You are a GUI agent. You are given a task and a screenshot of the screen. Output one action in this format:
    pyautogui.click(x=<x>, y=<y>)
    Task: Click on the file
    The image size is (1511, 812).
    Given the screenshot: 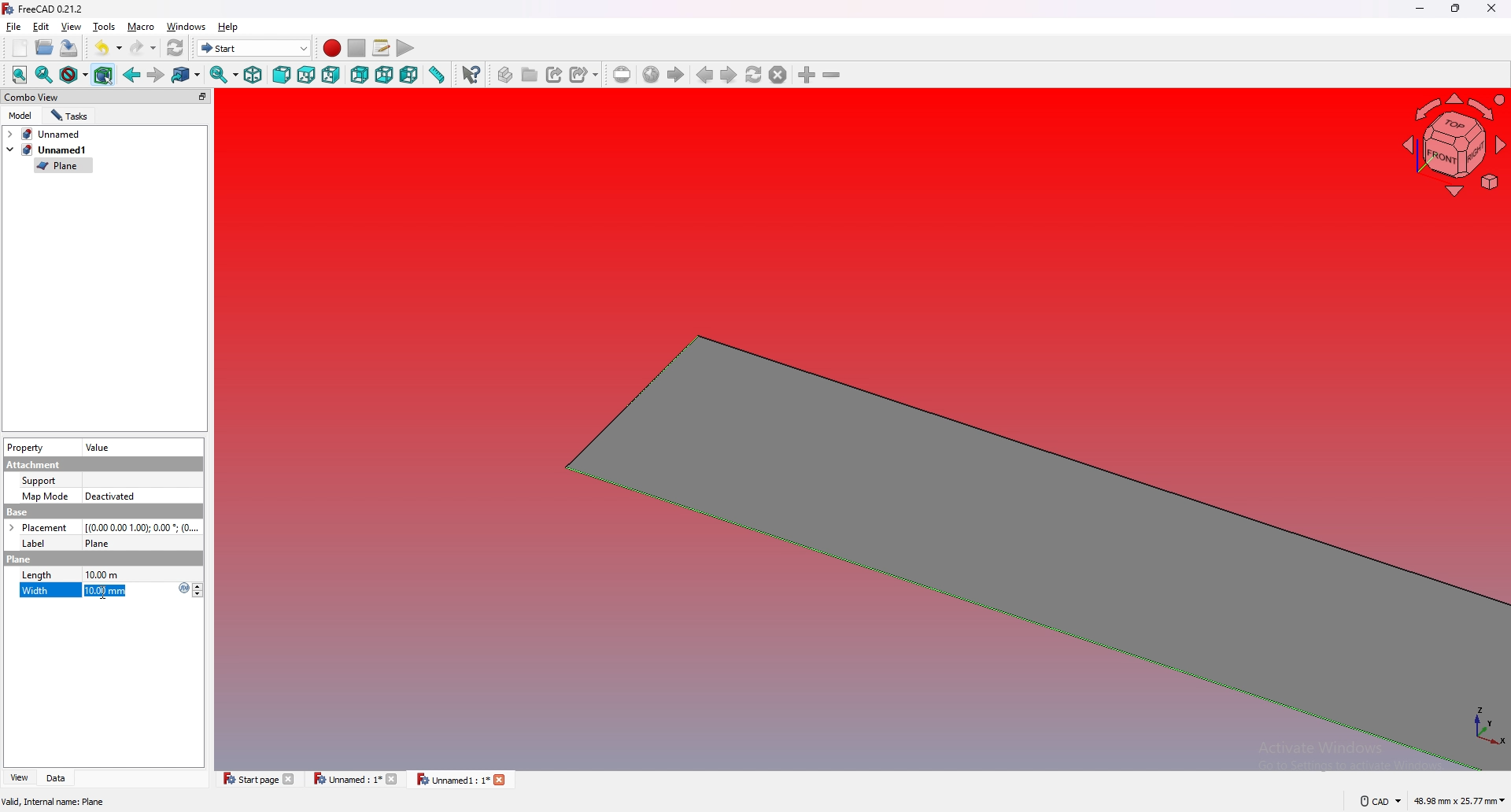 What is the action you would take?
    pyautogui.click(x=14, y=27)
    